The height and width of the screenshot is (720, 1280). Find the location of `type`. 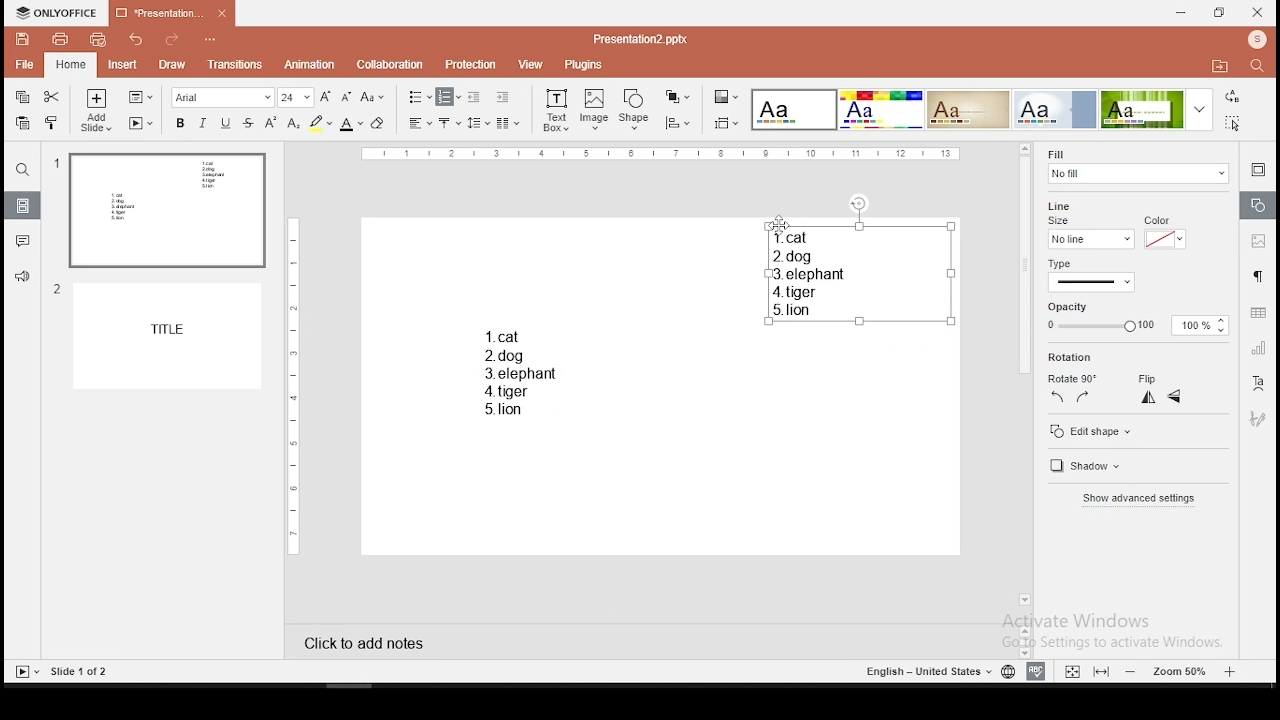

type is located at coordinates (1065, 263).